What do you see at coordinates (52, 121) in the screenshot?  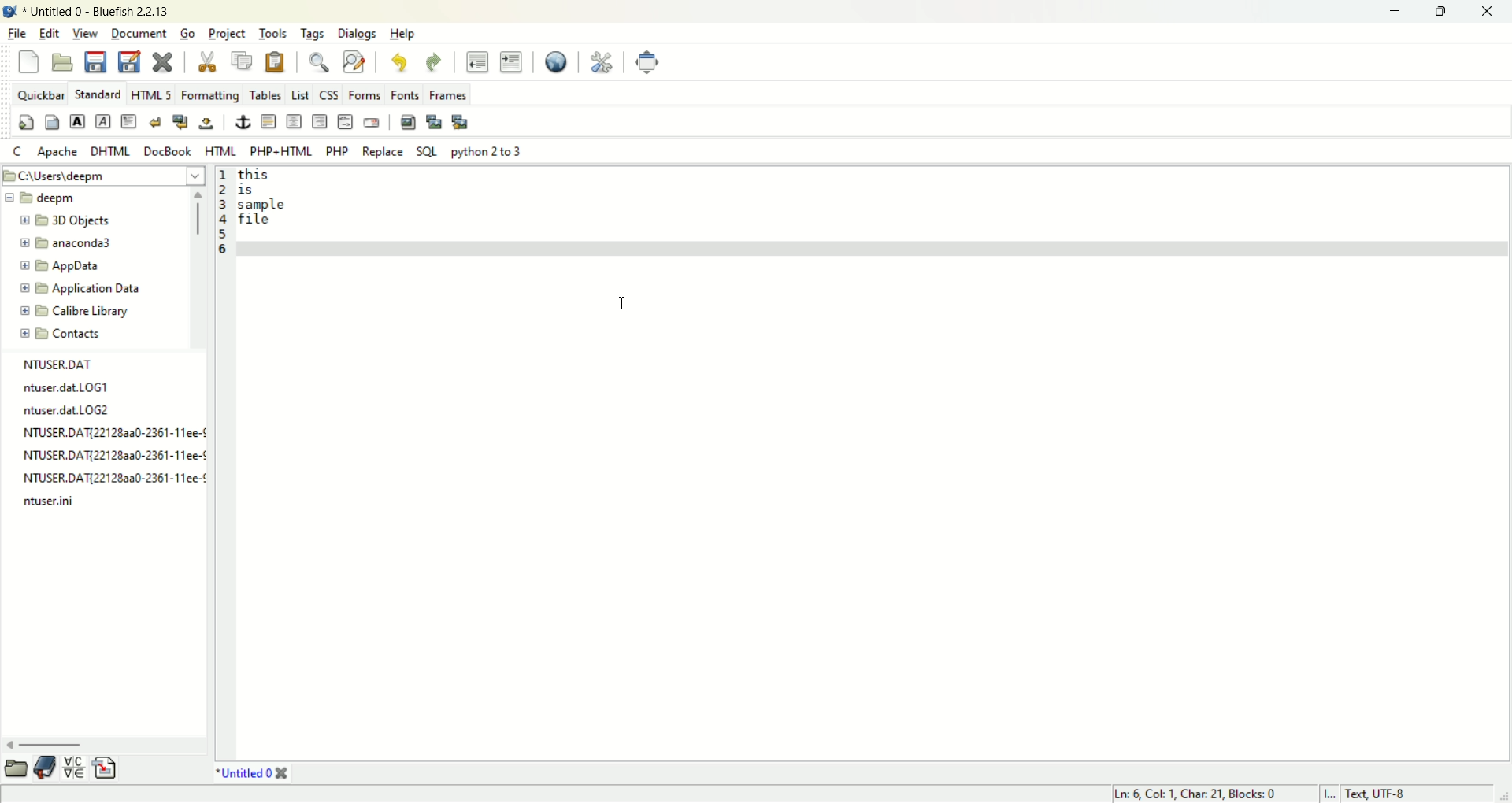 I see `body` at bounding box center [52, 121].